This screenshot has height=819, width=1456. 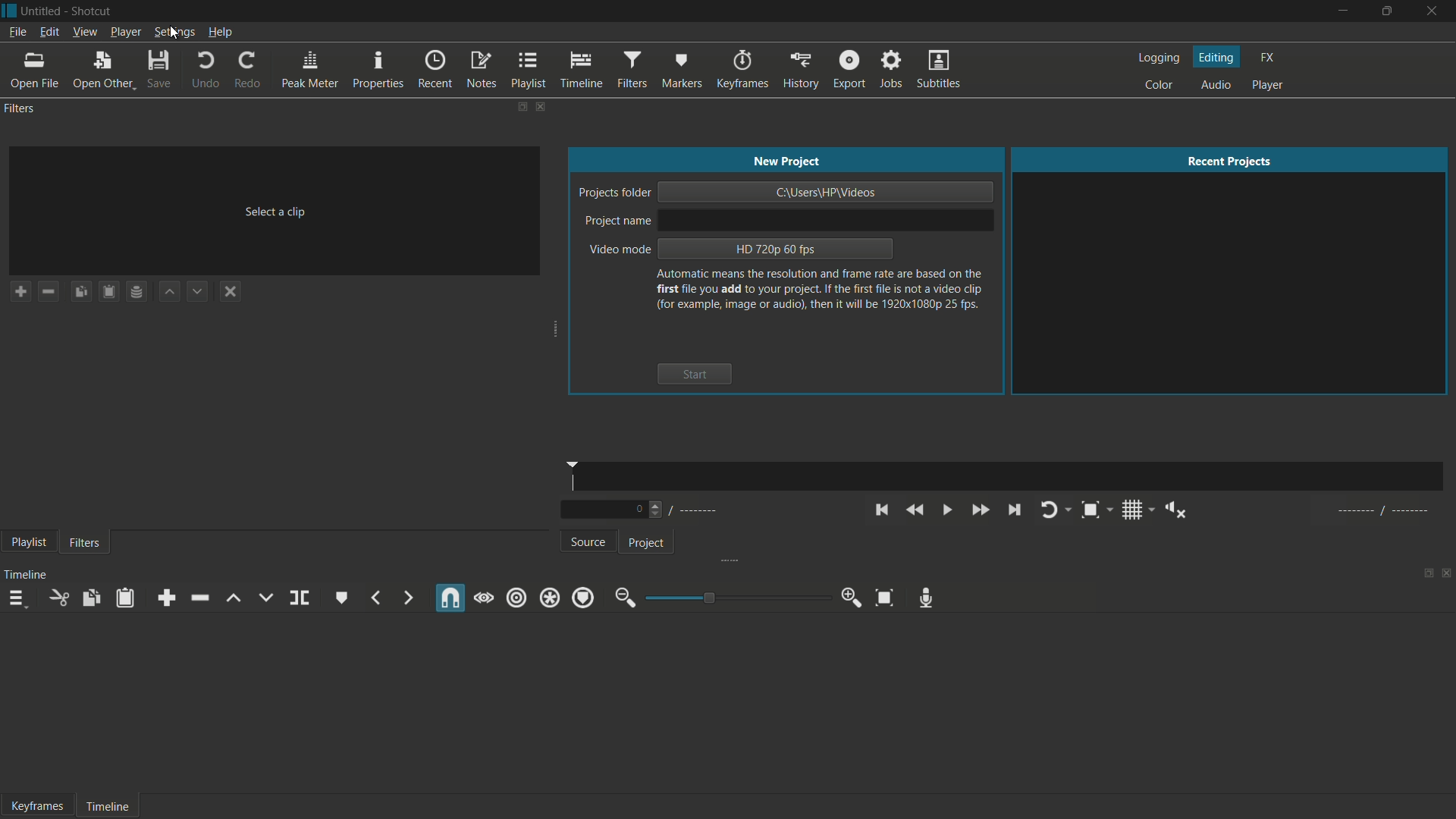 I want to click on history, so click(x=801, y=70).